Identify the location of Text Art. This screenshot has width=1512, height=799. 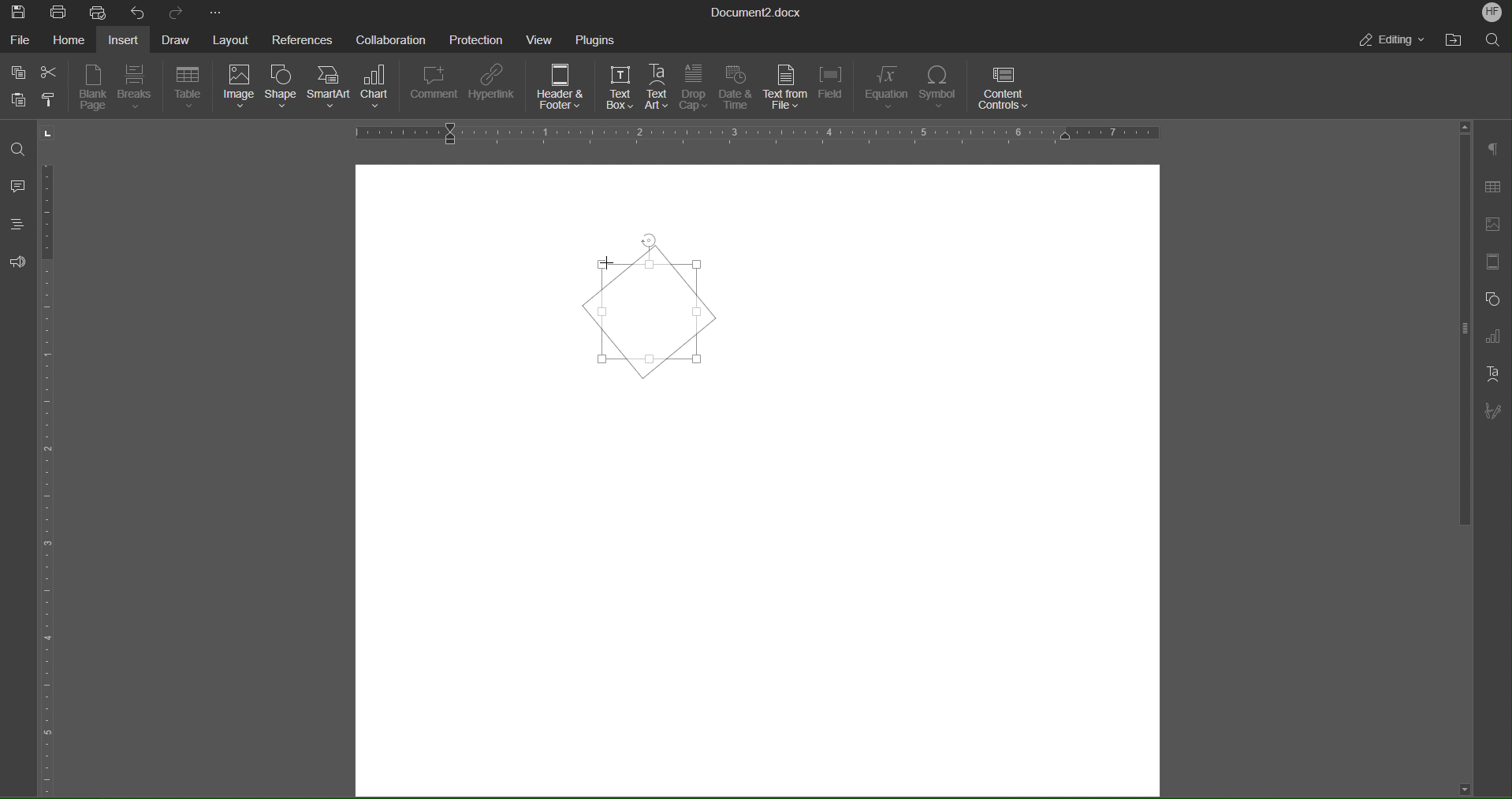
(1492, 373).